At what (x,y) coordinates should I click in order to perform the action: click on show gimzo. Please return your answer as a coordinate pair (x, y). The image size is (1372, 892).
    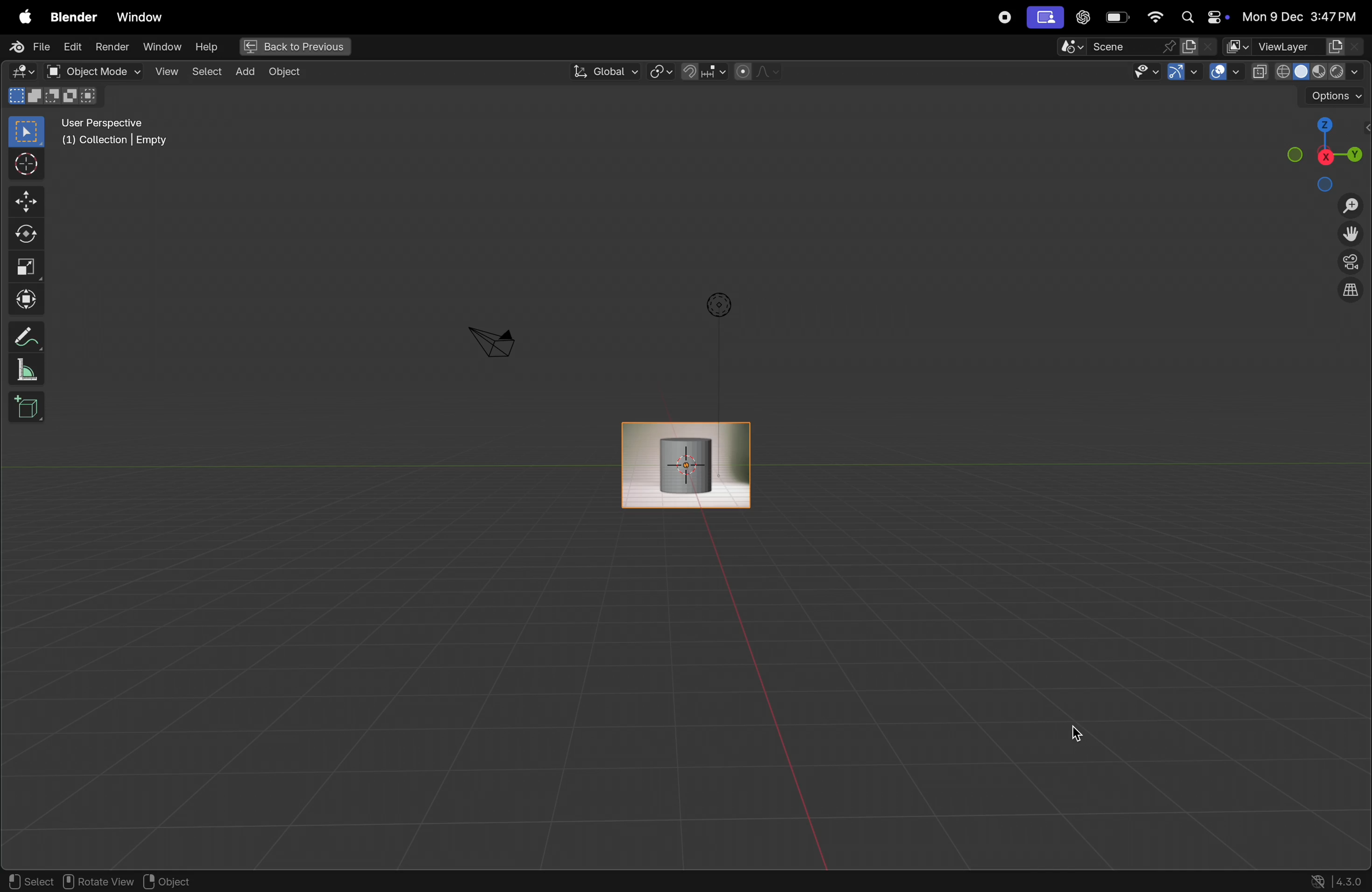
    Looking at the image, I should click on (1185, 74).